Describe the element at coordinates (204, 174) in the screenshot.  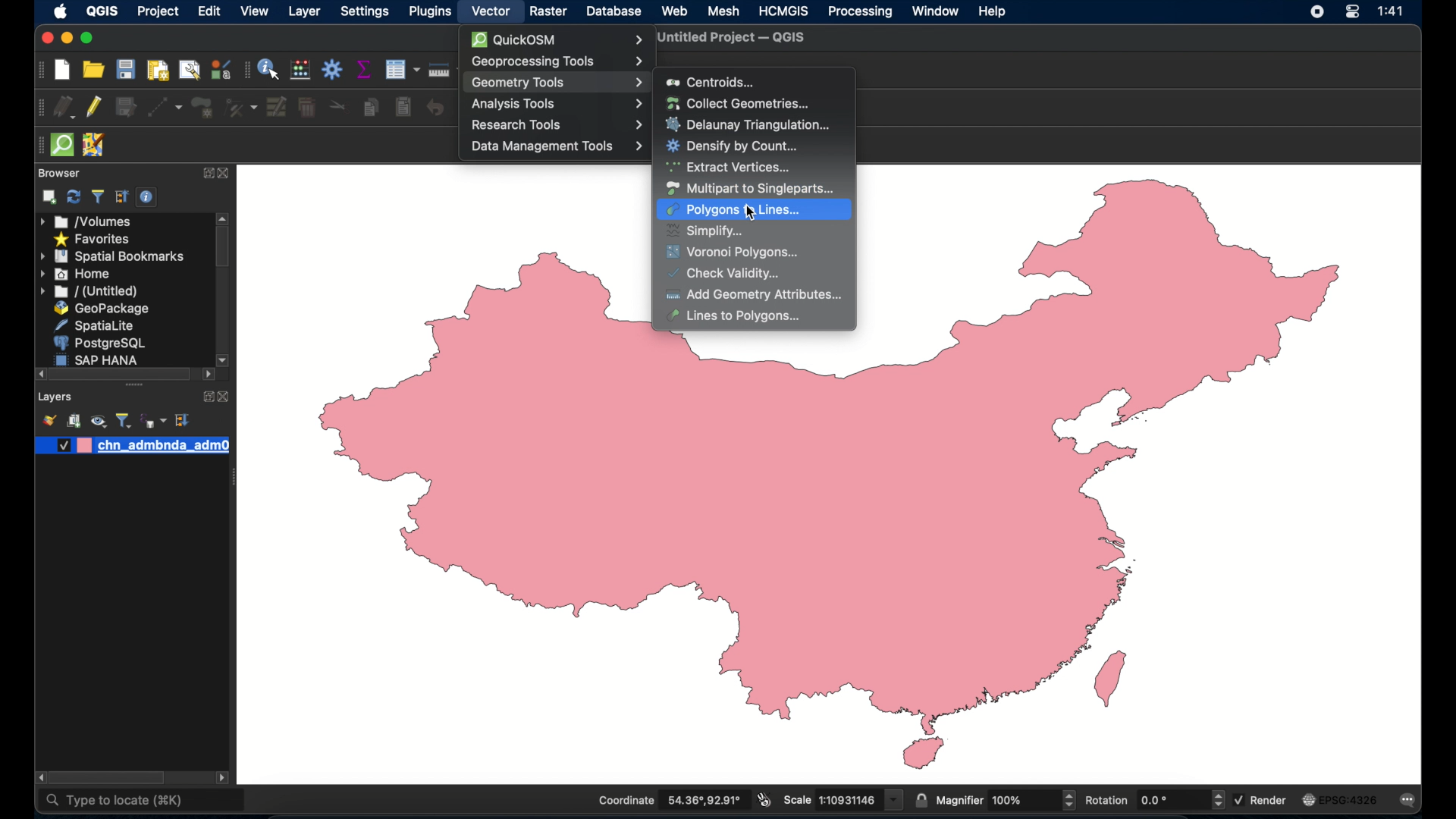
I see `expand` at that location.